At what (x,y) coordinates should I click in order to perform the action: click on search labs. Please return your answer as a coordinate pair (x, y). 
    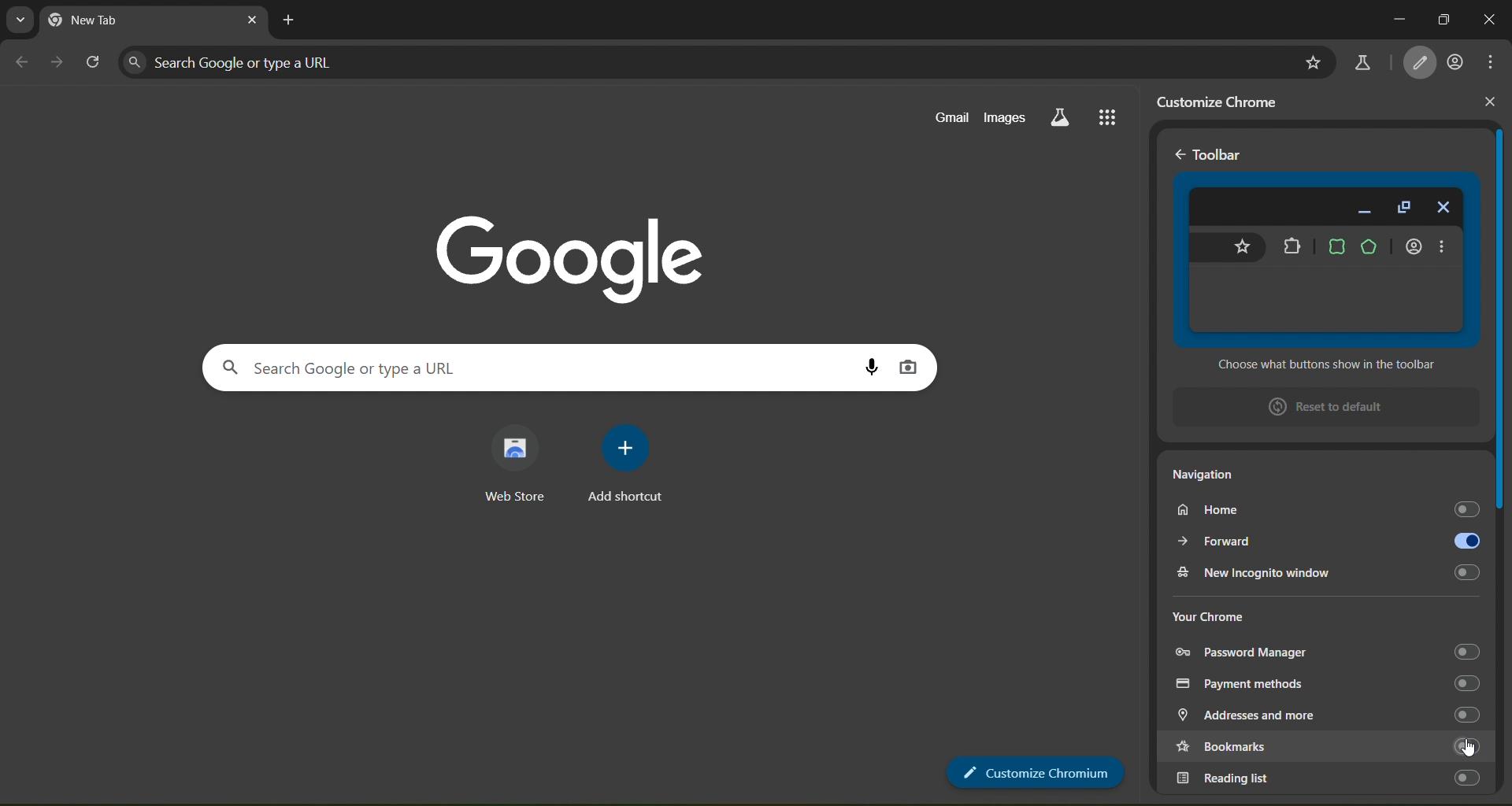
    Looking at the image, I should click on (1362, 64).